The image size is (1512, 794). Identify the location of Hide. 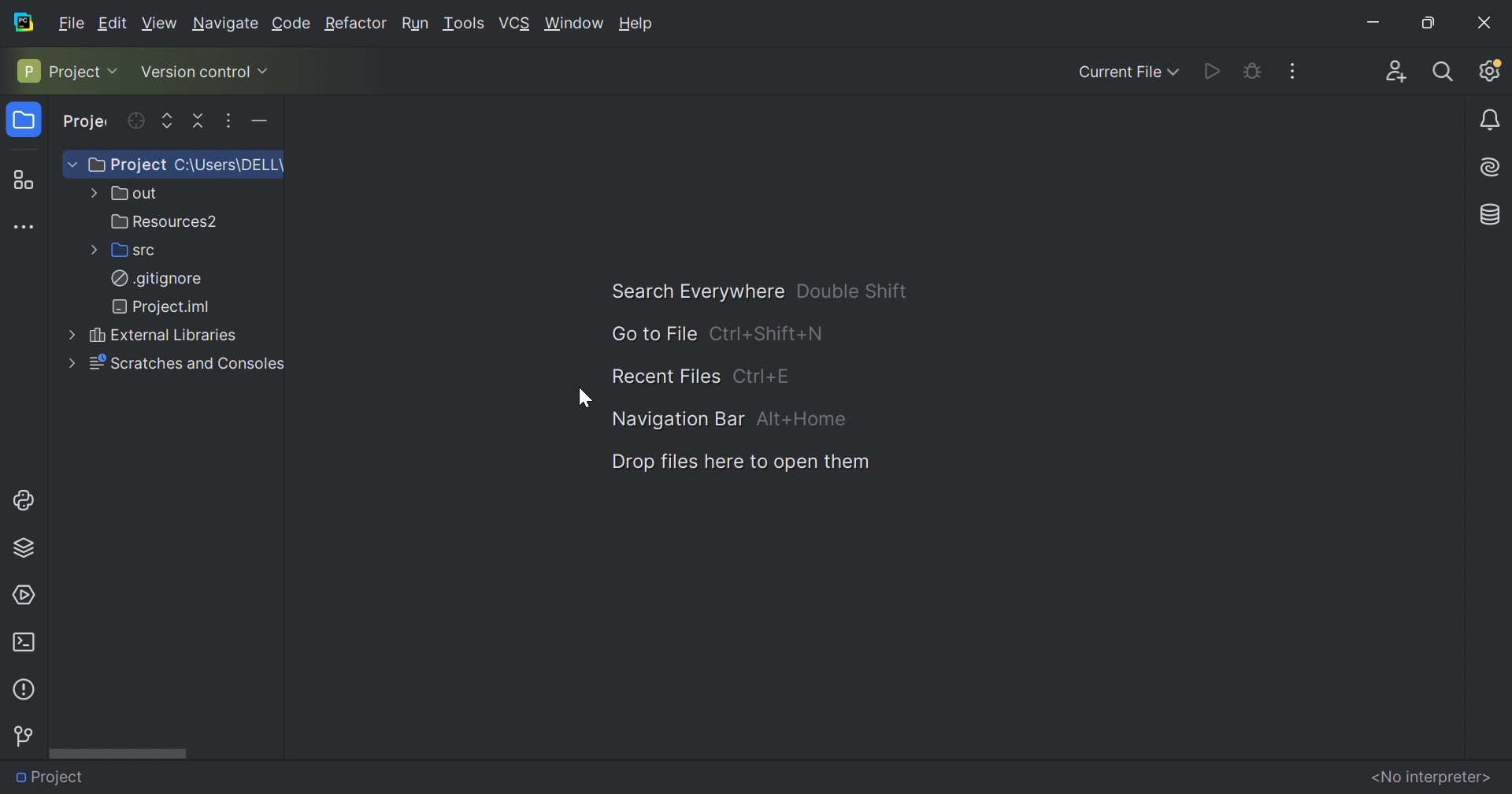
(265, 121).